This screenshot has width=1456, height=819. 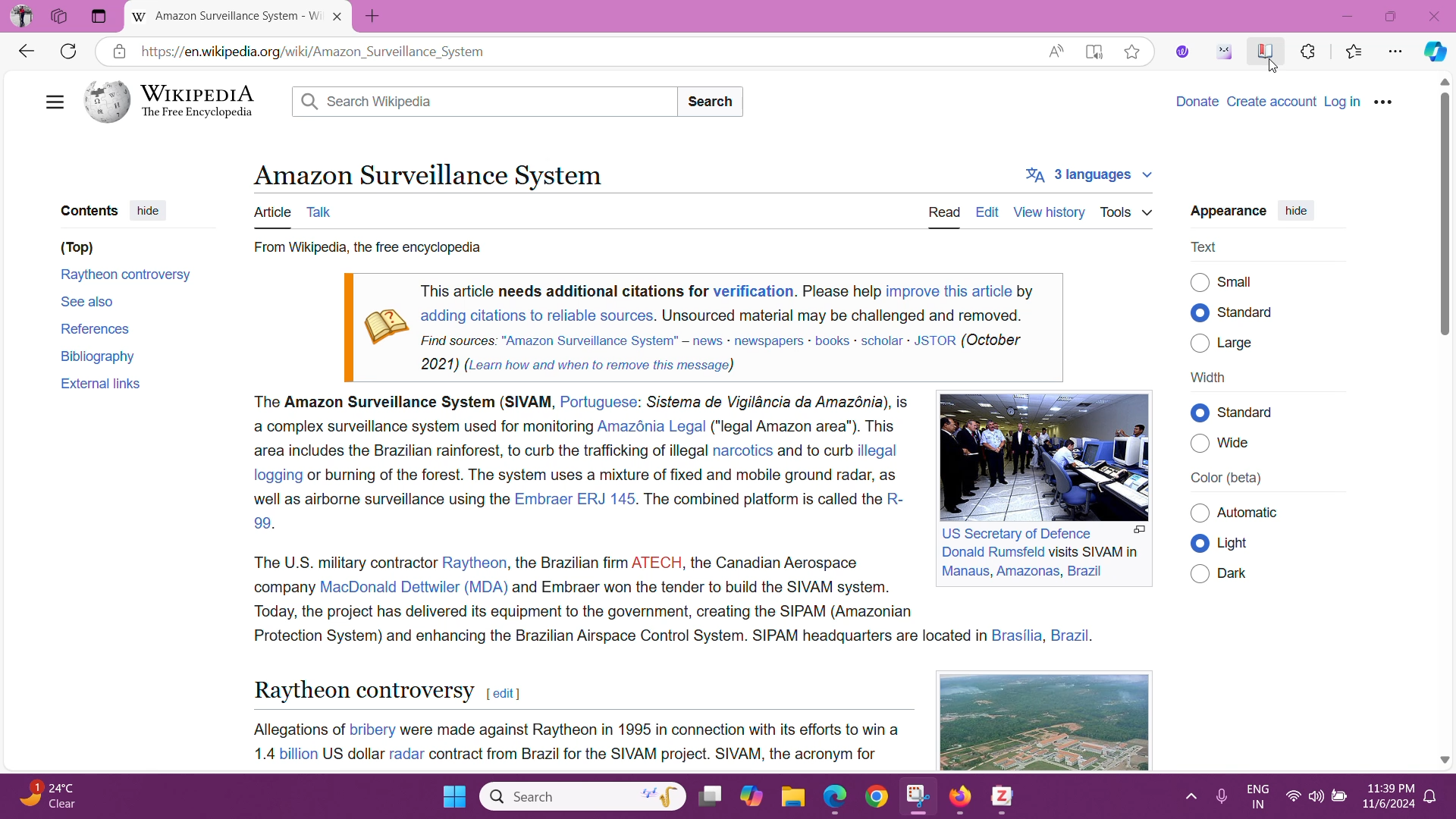 I want to click on files, so click(x=793, y=797).